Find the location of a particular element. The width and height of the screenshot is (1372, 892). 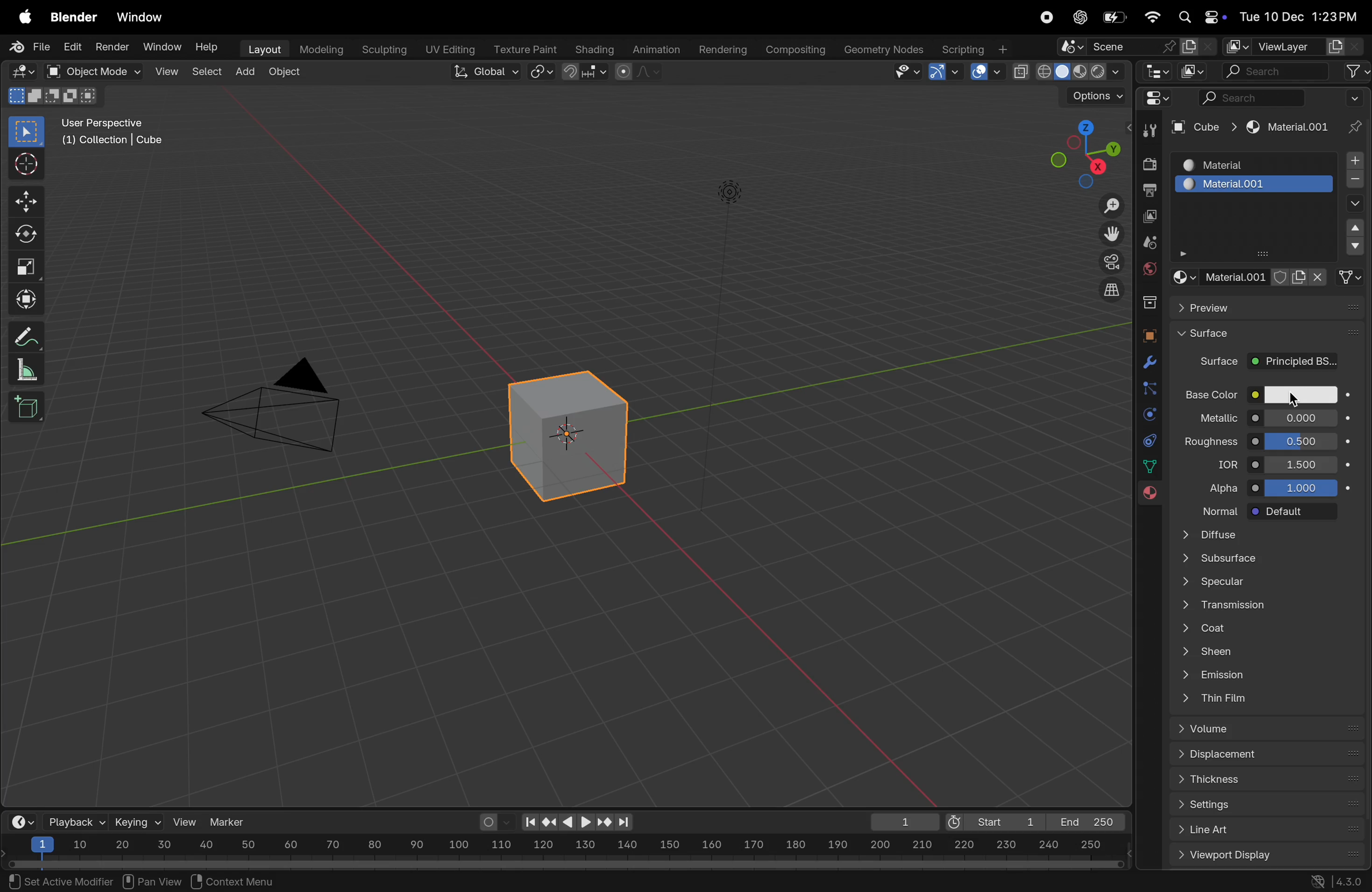

camera is located at coordinates (1109, 262).